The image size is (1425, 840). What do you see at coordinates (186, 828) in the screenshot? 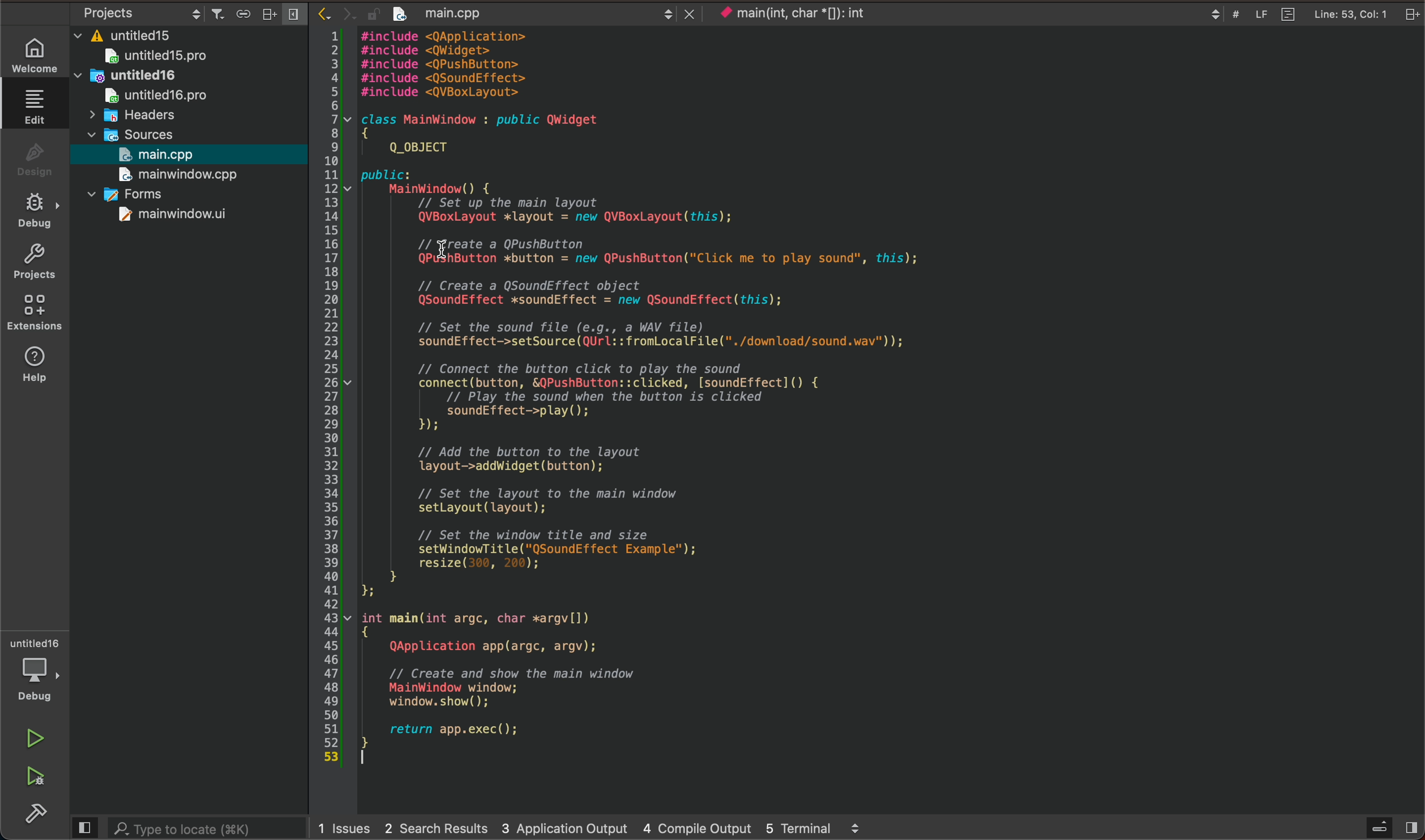
I see `search` at bounding box center [186, 828].